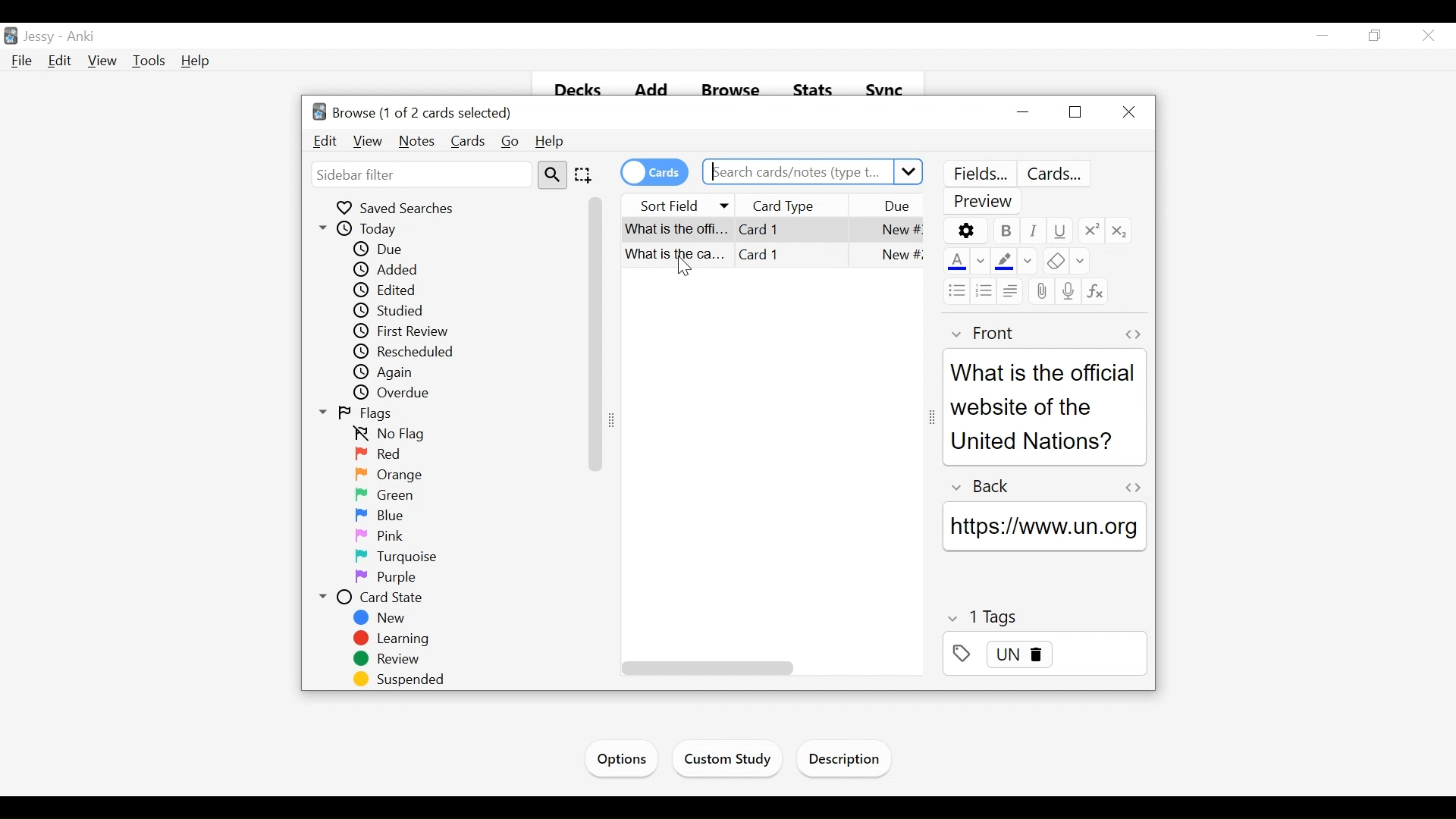 The width and height of the screenshot is (1456, 819). What do you see at coordinates (468, 141) in the screenshot?
I see `Cards` at bounding box center [468, 141].